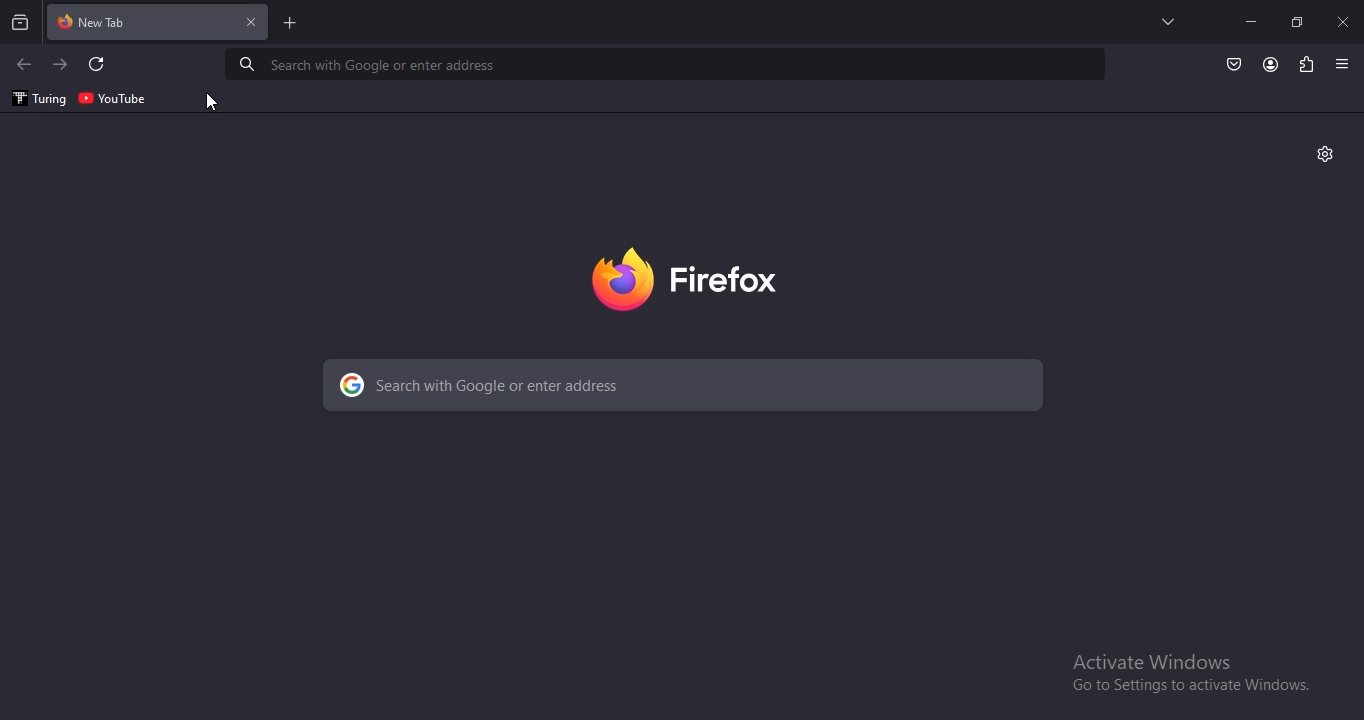 This screenshot has width=1364, height=720. Describe the element at coordinates (1299, 22) in the screenshot. I see `restore windows` at that location.